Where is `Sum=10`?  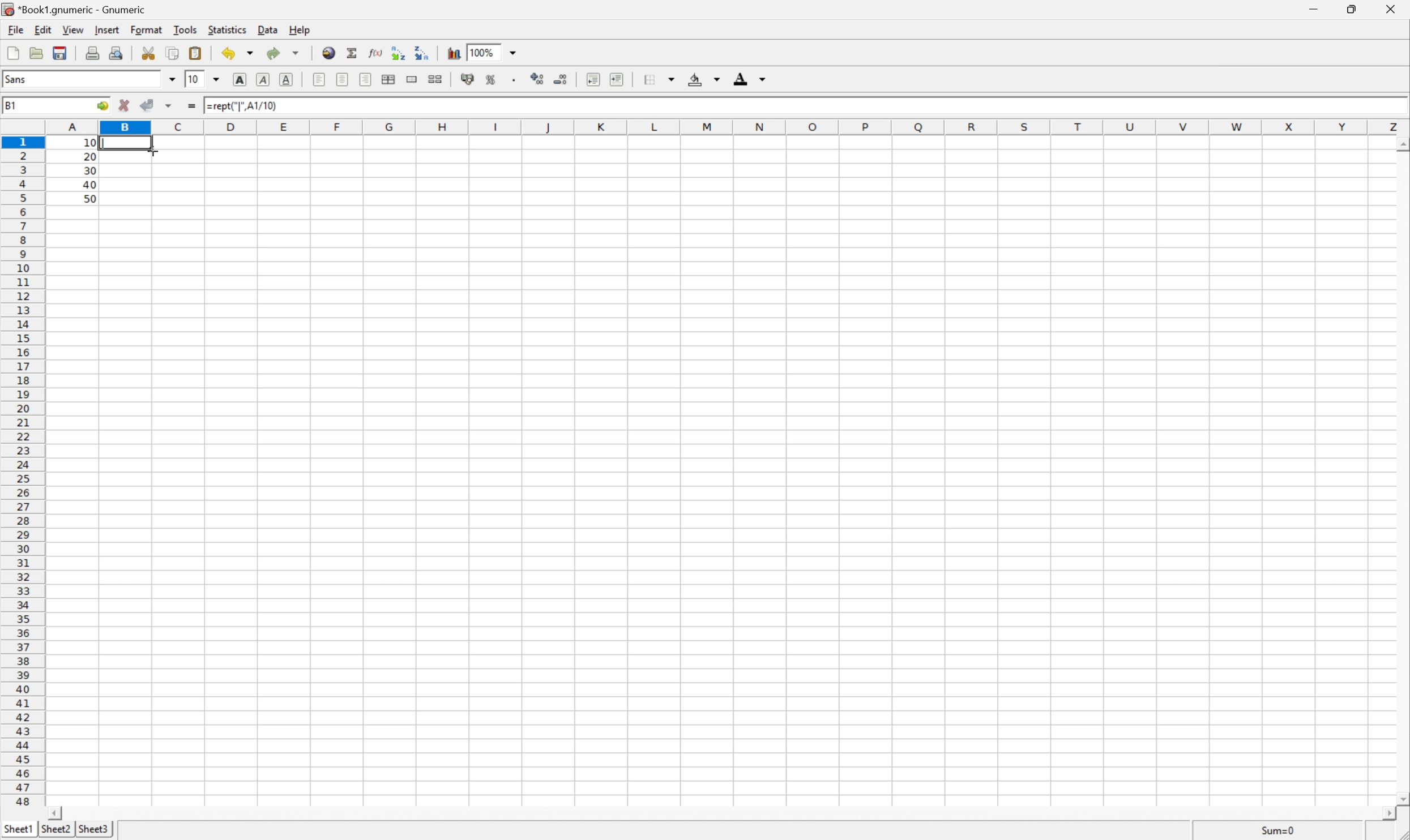 Sum=10 is located at coordinates (1279, 829).